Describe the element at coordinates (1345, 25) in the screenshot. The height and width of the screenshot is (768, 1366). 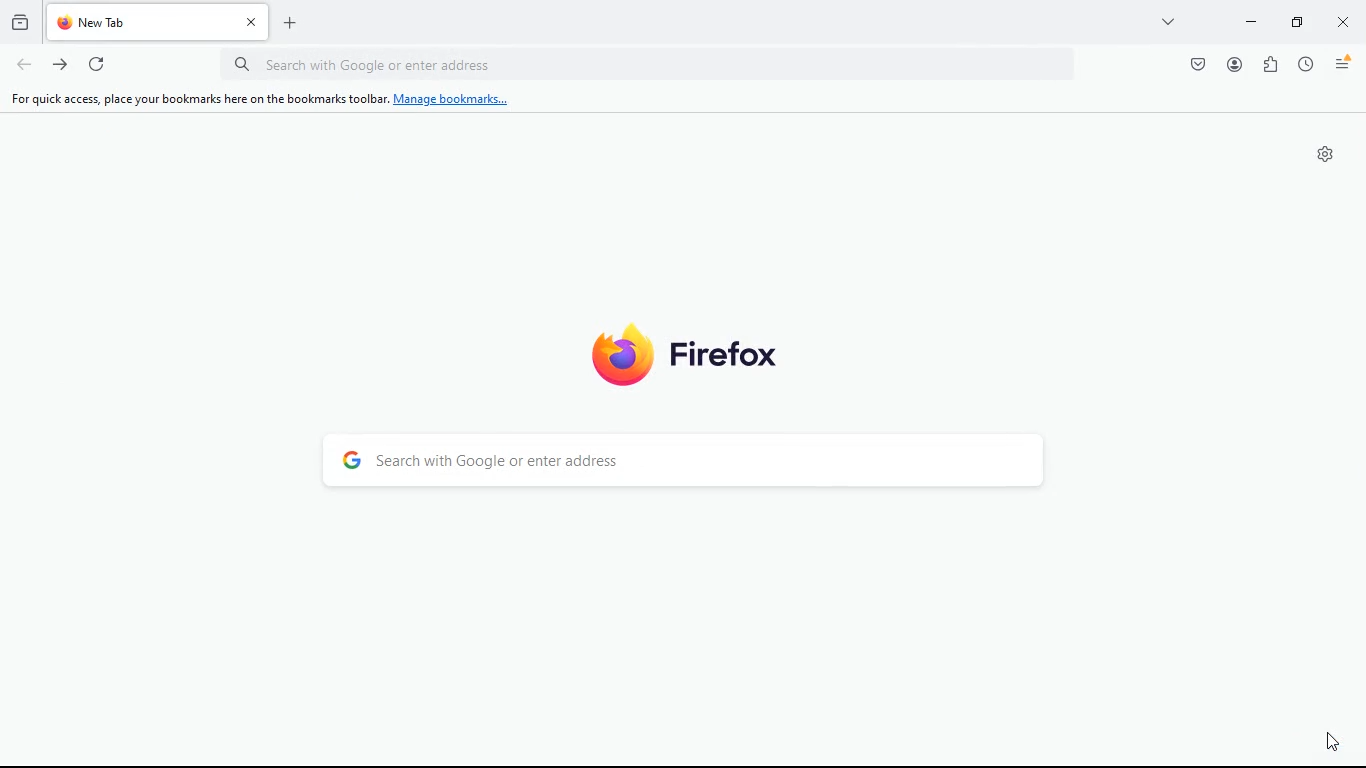
I see `close` at that location.